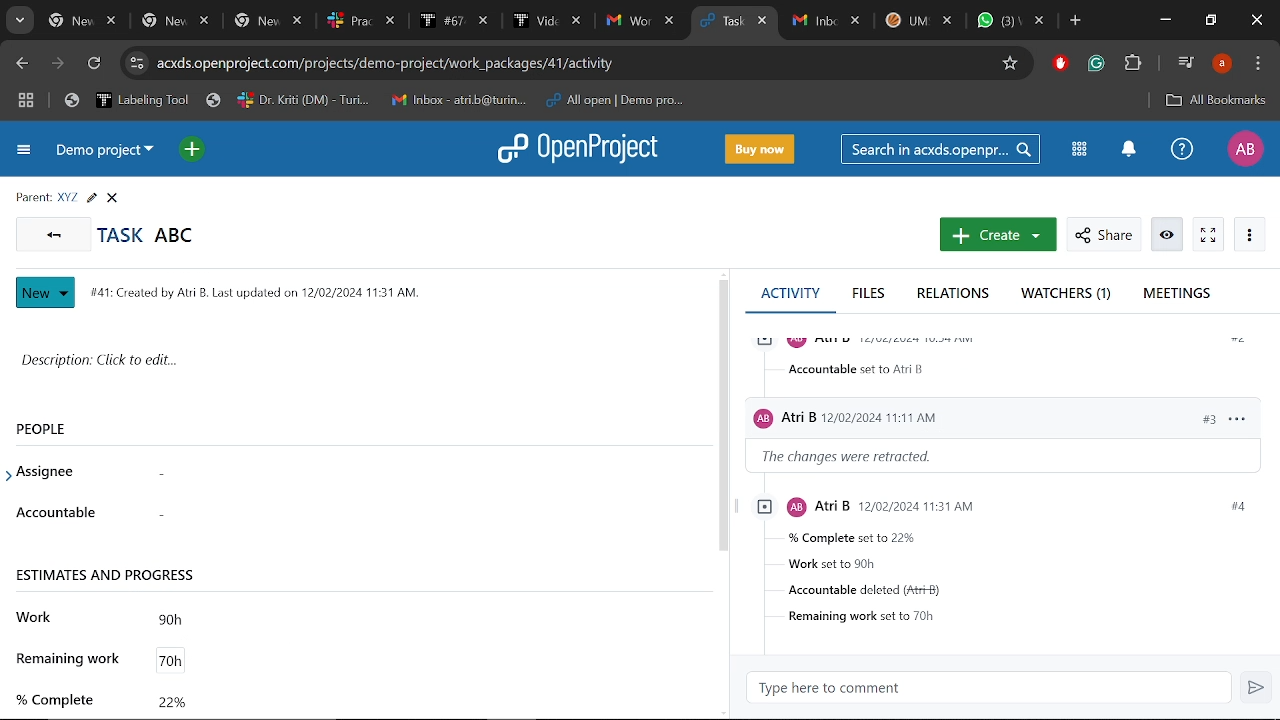 The height and width of the screenshot is (720, 1280). What do you see at coordinates (35, 614) in the screenshot?
I see `work` at bounding box center [35, 614].